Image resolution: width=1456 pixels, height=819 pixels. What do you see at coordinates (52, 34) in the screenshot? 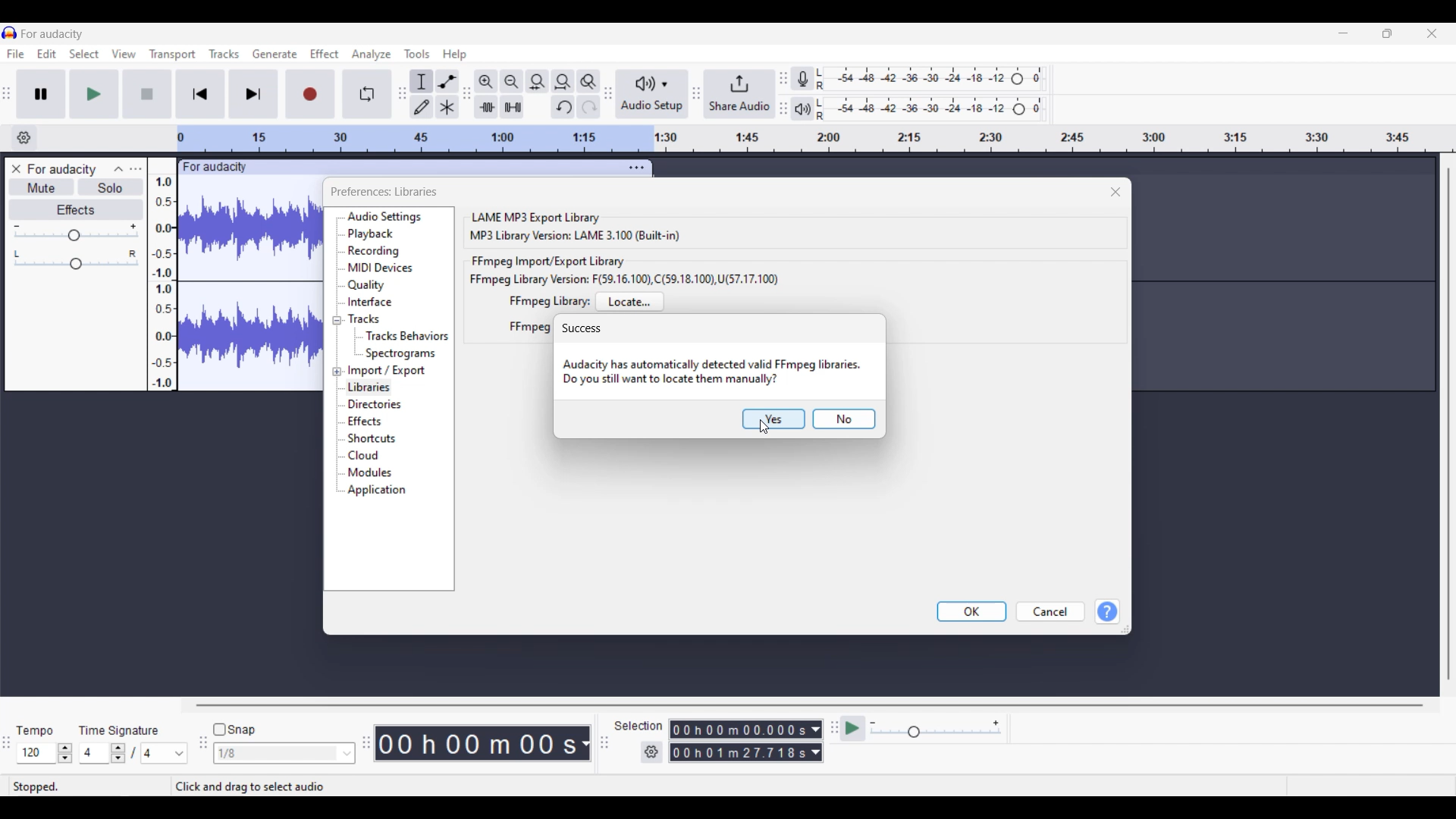
I see `for audacity` at bounding box center [52, 34].